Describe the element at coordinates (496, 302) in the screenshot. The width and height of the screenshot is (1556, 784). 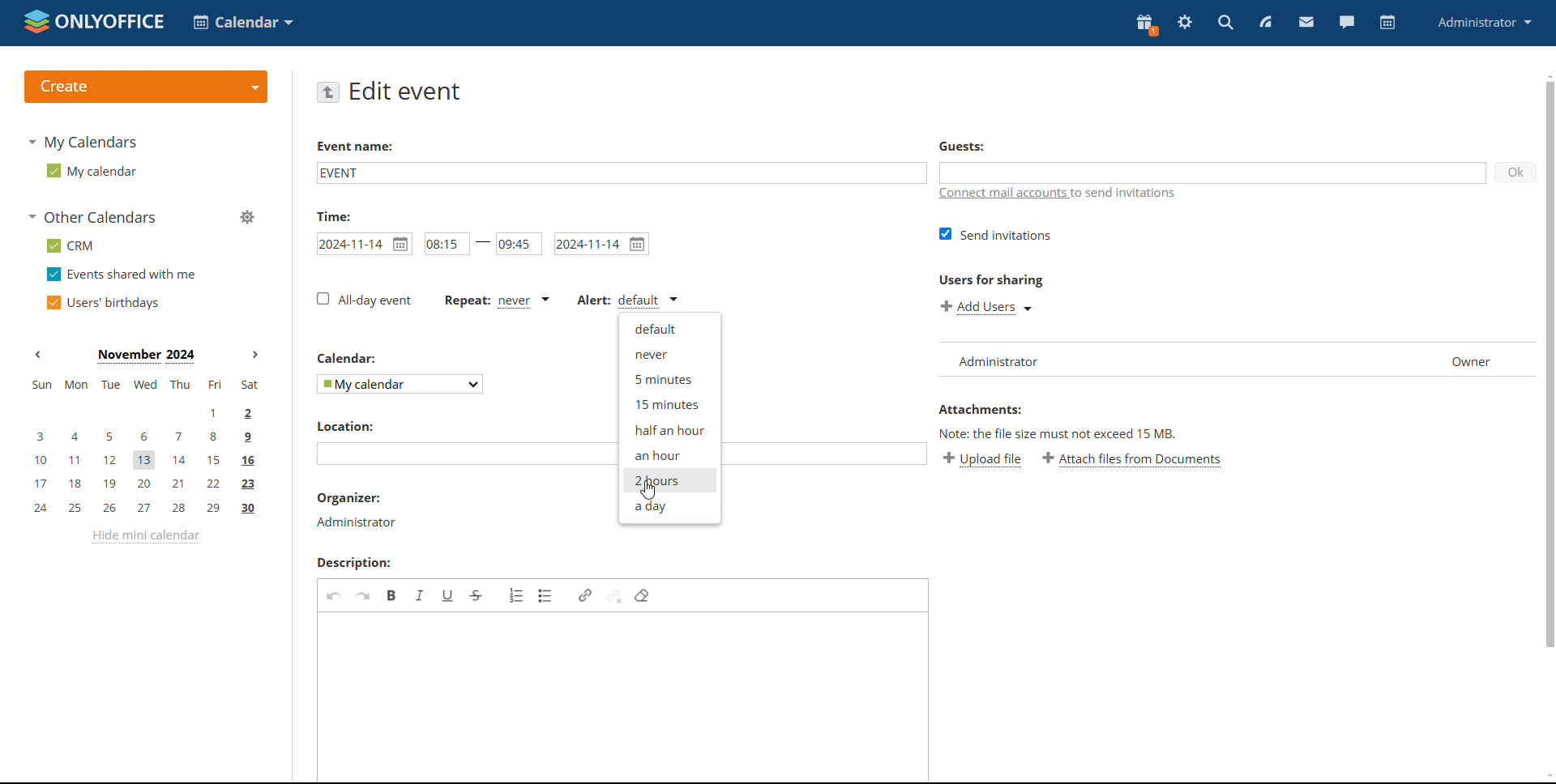
I see `event repetition` at that location.